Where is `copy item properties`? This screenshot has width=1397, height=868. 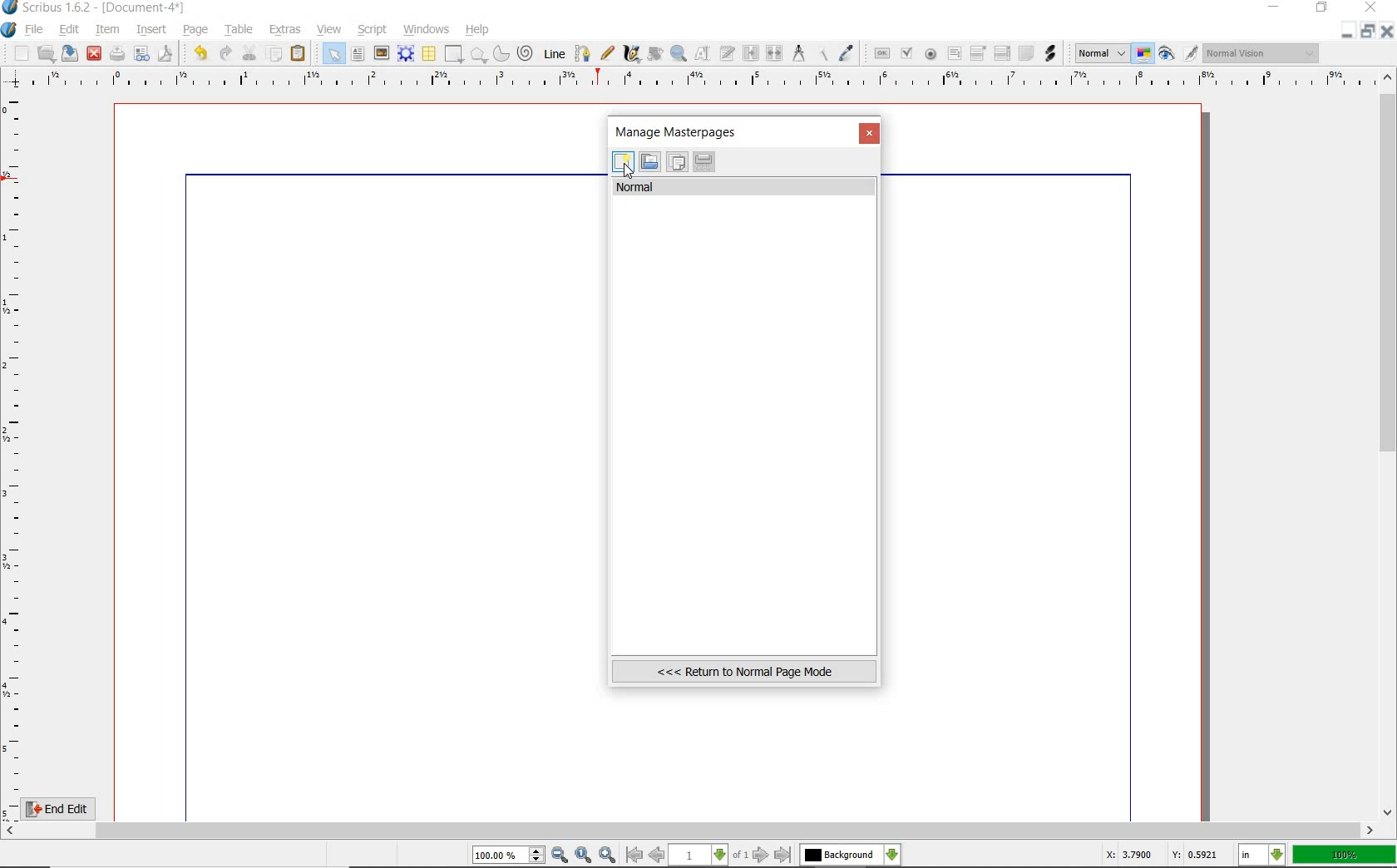
copy item properties is located at coordinates (824, 52).